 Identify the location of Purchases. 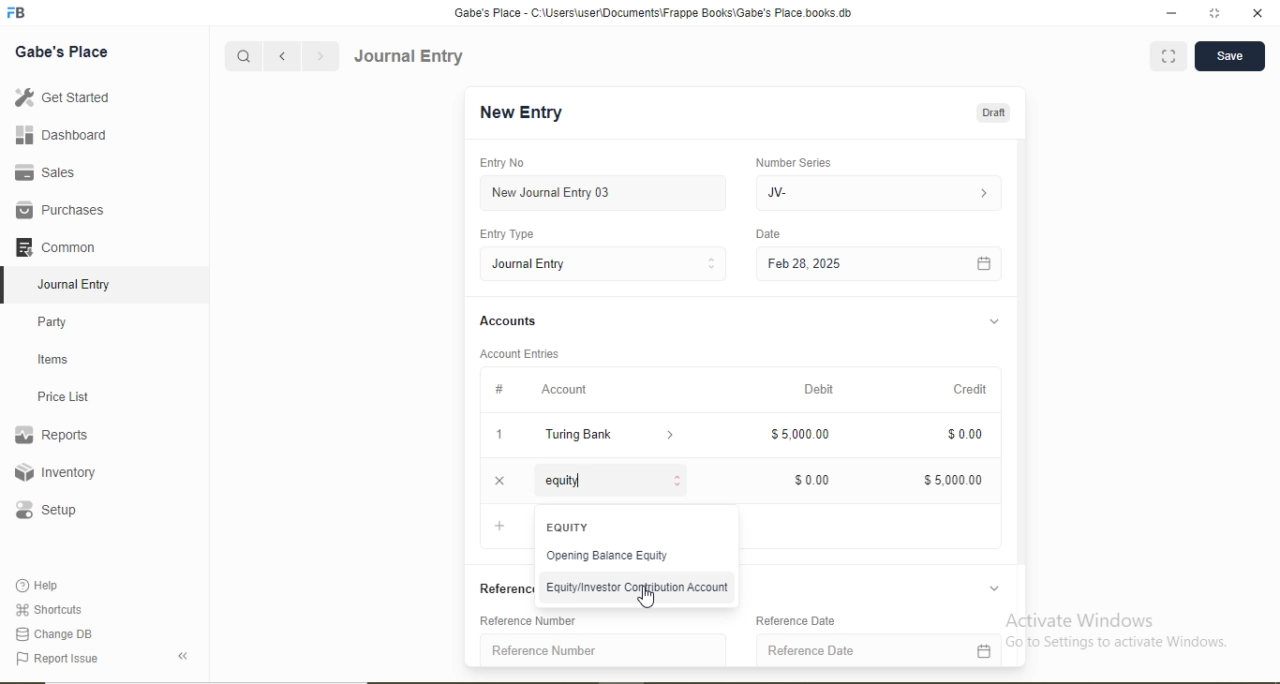
(59, 210).